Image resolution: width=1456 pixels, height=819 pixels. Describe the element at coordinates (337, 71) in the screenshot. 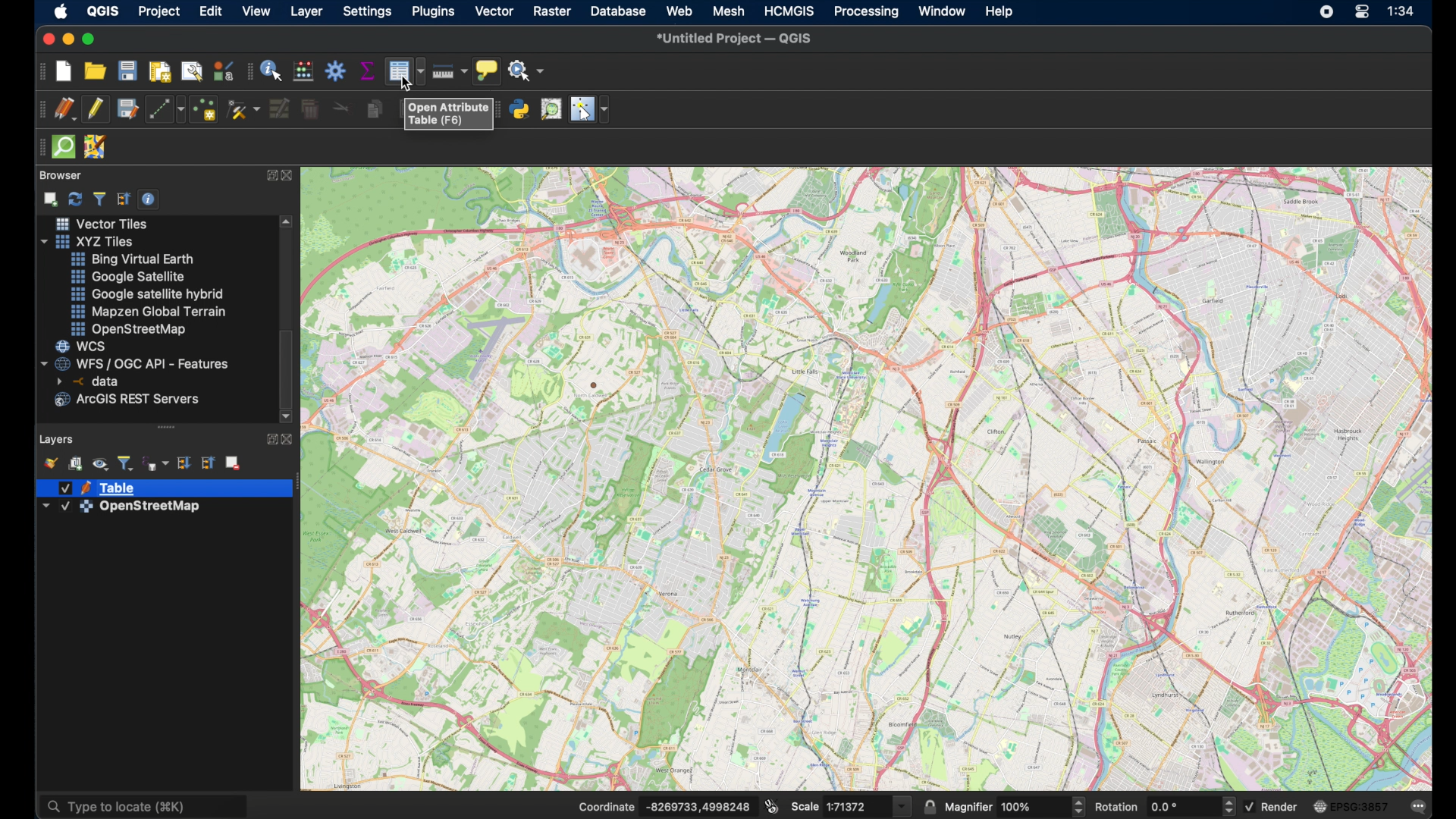

I see `toolbox` at that location.